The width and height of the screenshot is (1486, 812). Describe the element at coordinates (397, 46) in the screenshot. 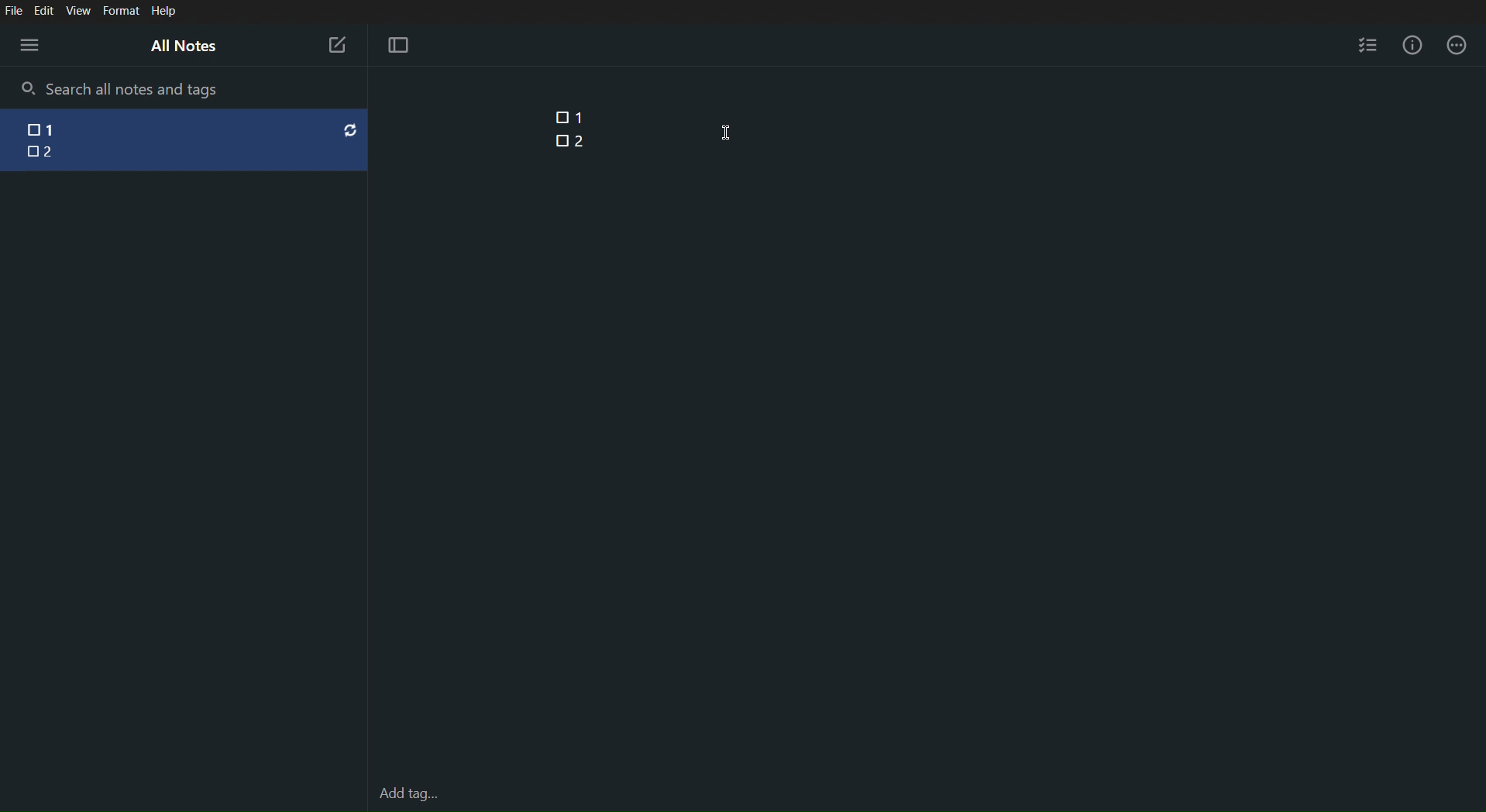

I see `Focus Mode` at that location.